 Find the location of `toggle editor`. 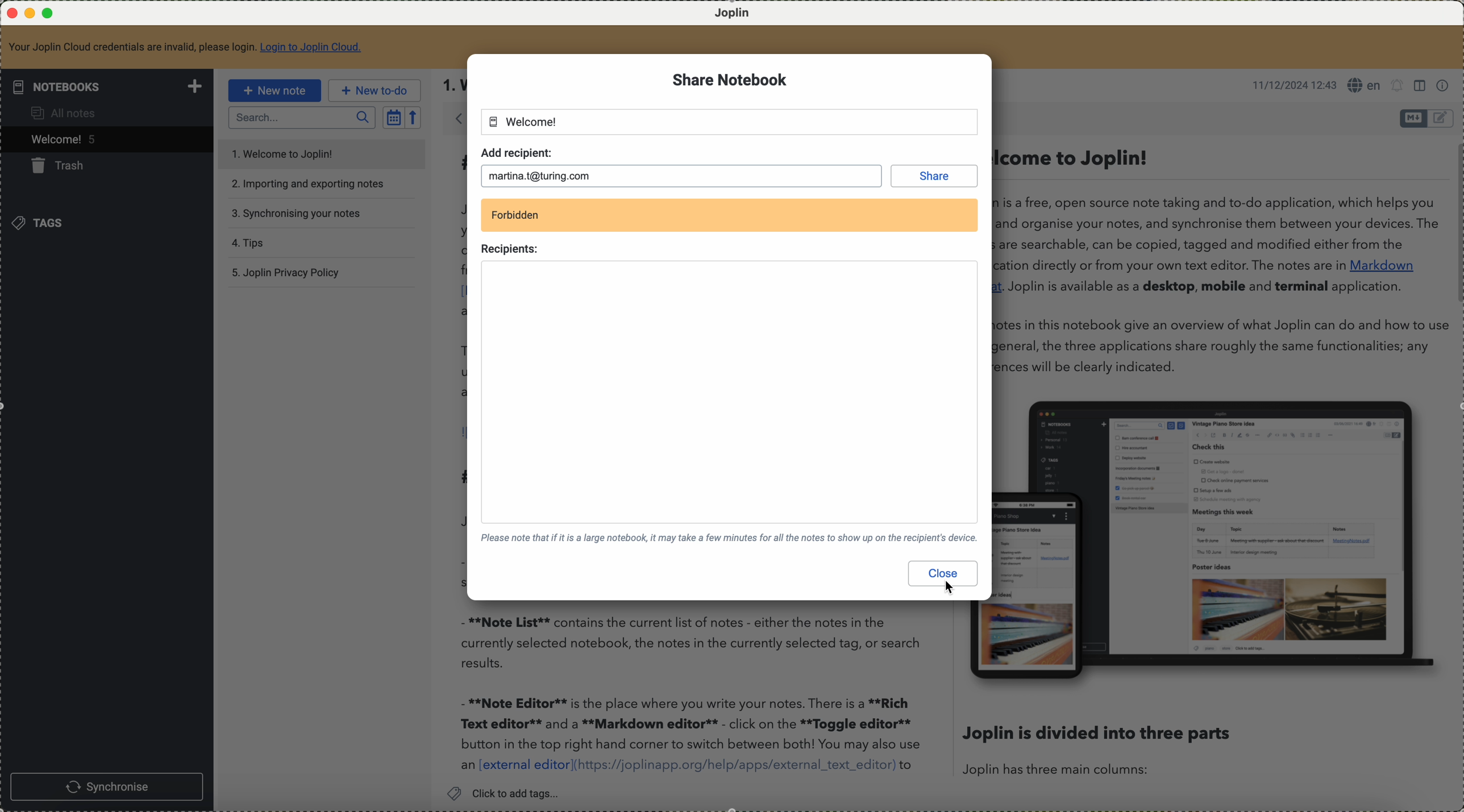

toggle editor is located at coordinates (1442, 118).